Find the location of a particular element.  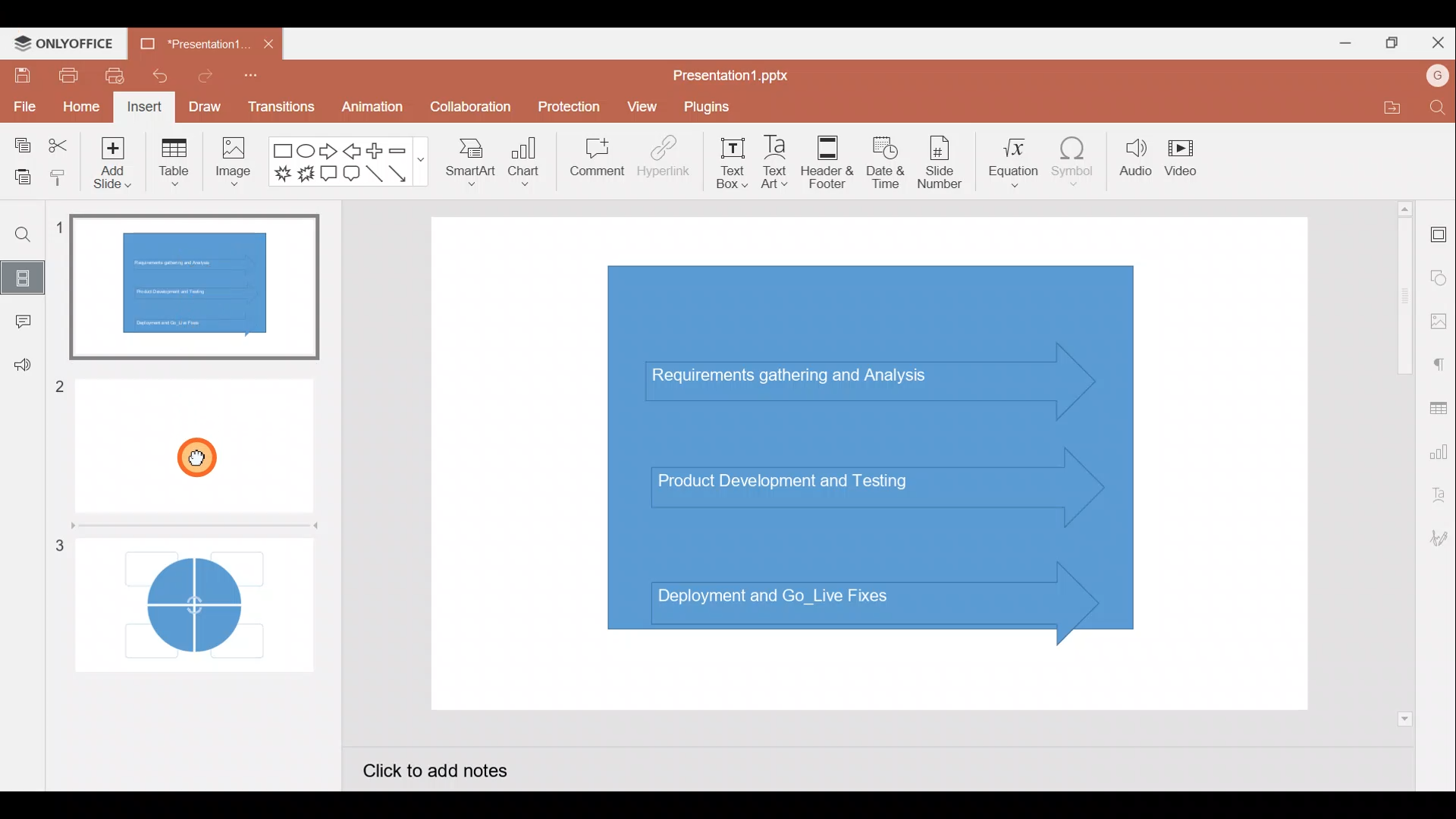

Home is located at coordinates (80, 108).